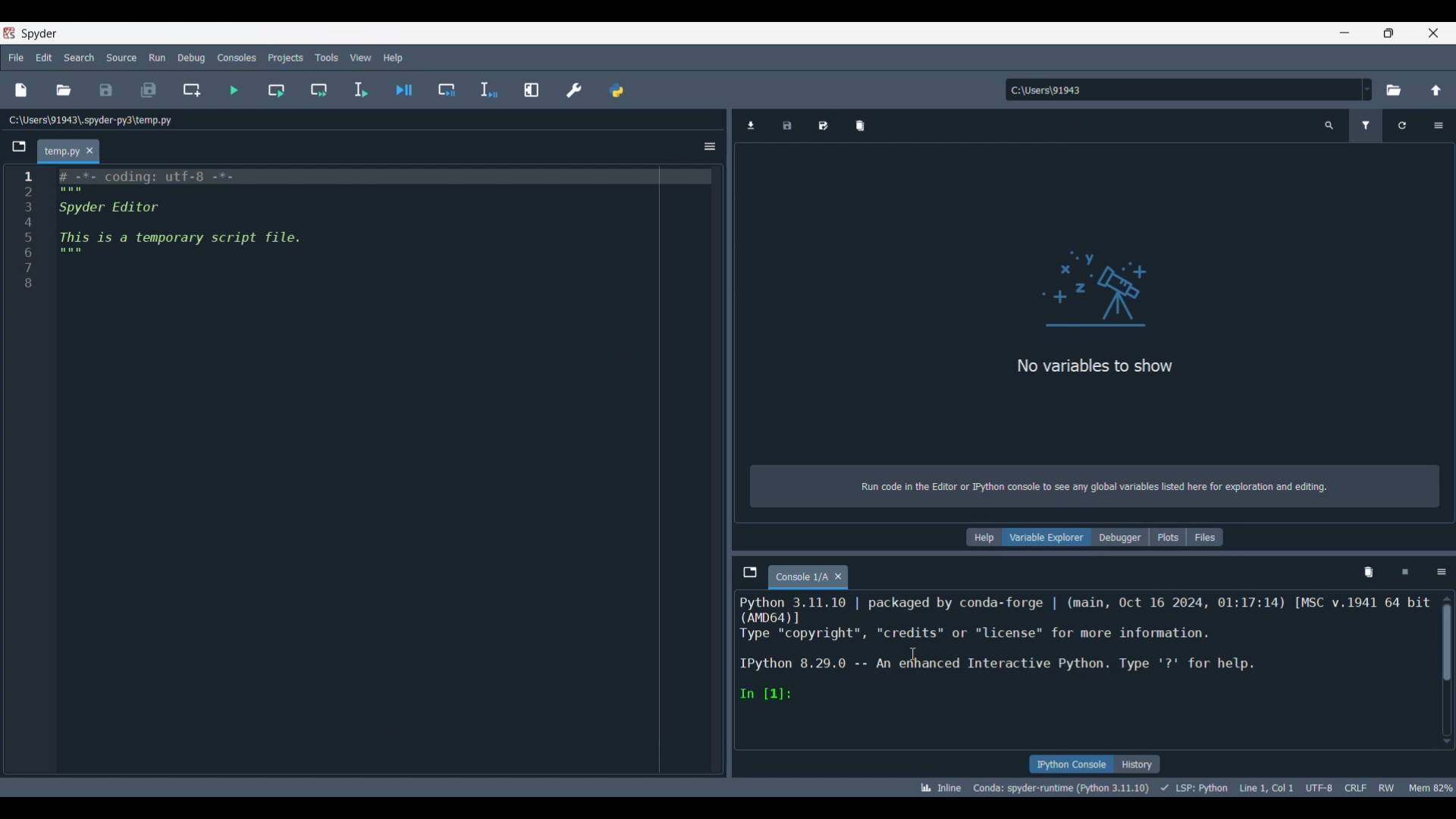 The width and height of the screenshot is (1456, 819). What do you see at coordinates (19, 147) in the screenshot?
I see `Browse tabs` at bounding box center [19, 147].